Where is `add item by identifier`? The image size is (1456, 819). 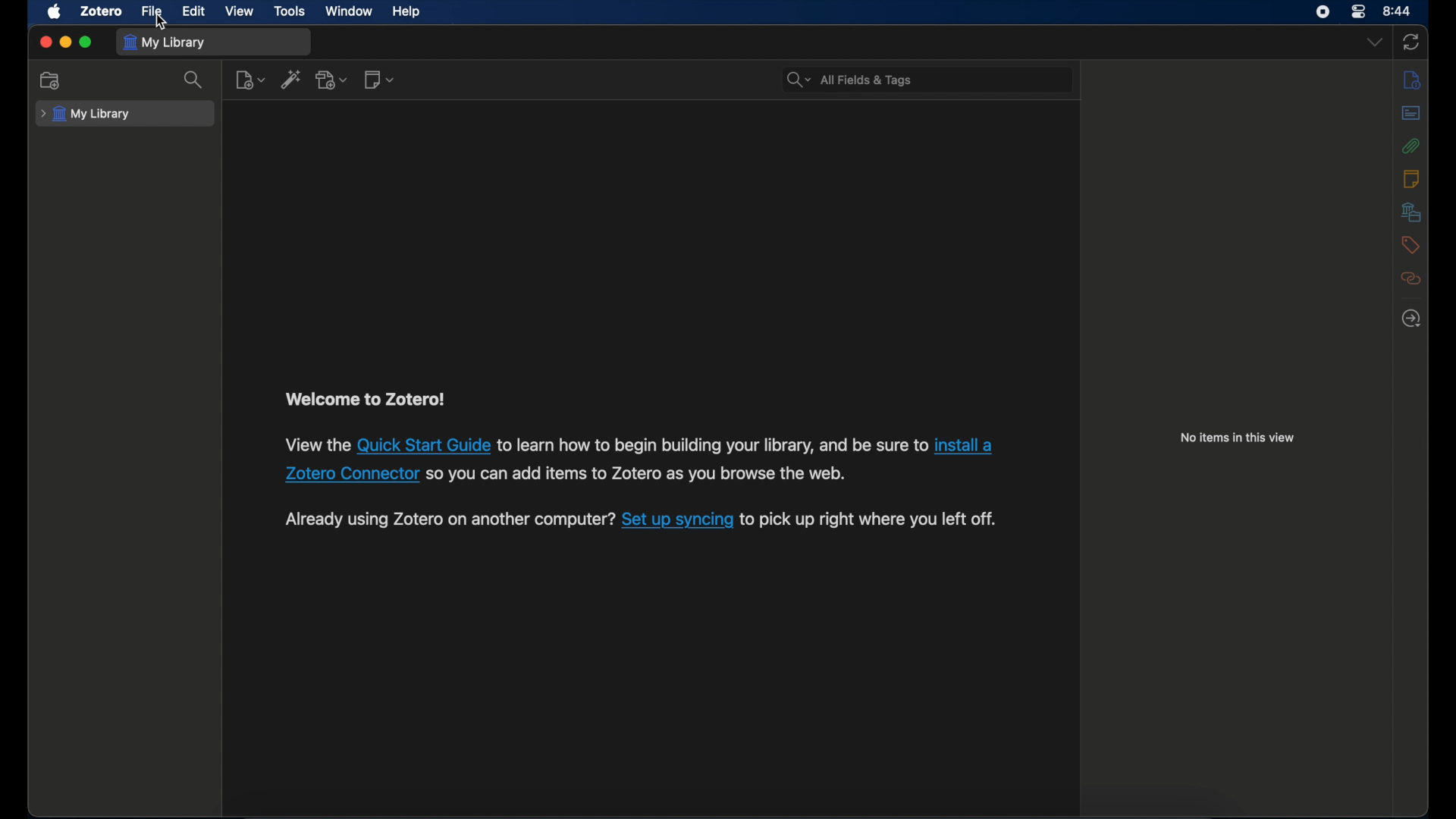
add item by identifier is located at coordinates (290, 80).